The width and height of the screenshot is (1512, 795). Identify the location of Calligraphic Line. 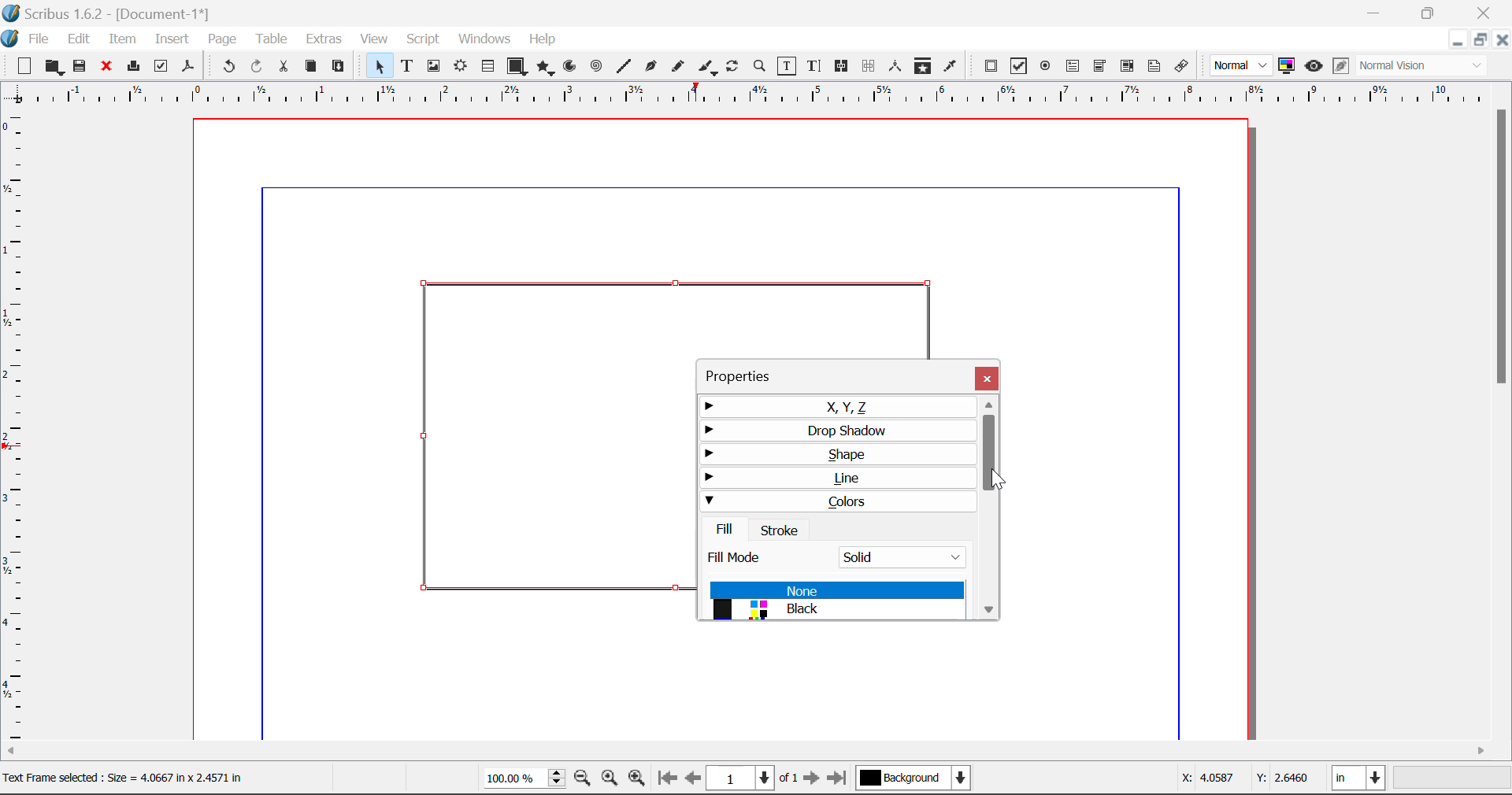
(704, 67).